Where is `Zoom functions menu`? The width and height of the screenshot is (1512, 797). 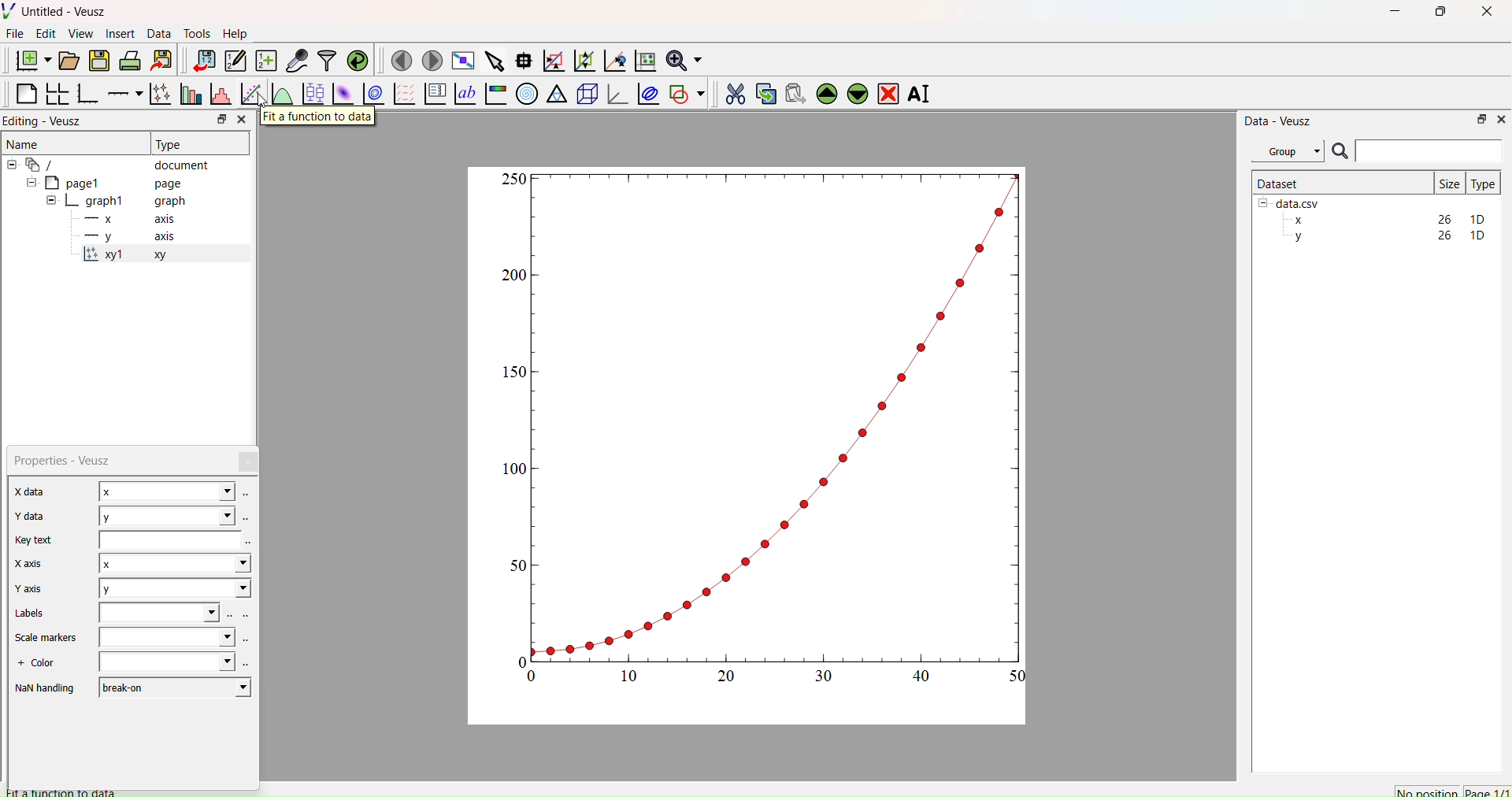 Zoom functions menu is located at coordinates (683, 58).